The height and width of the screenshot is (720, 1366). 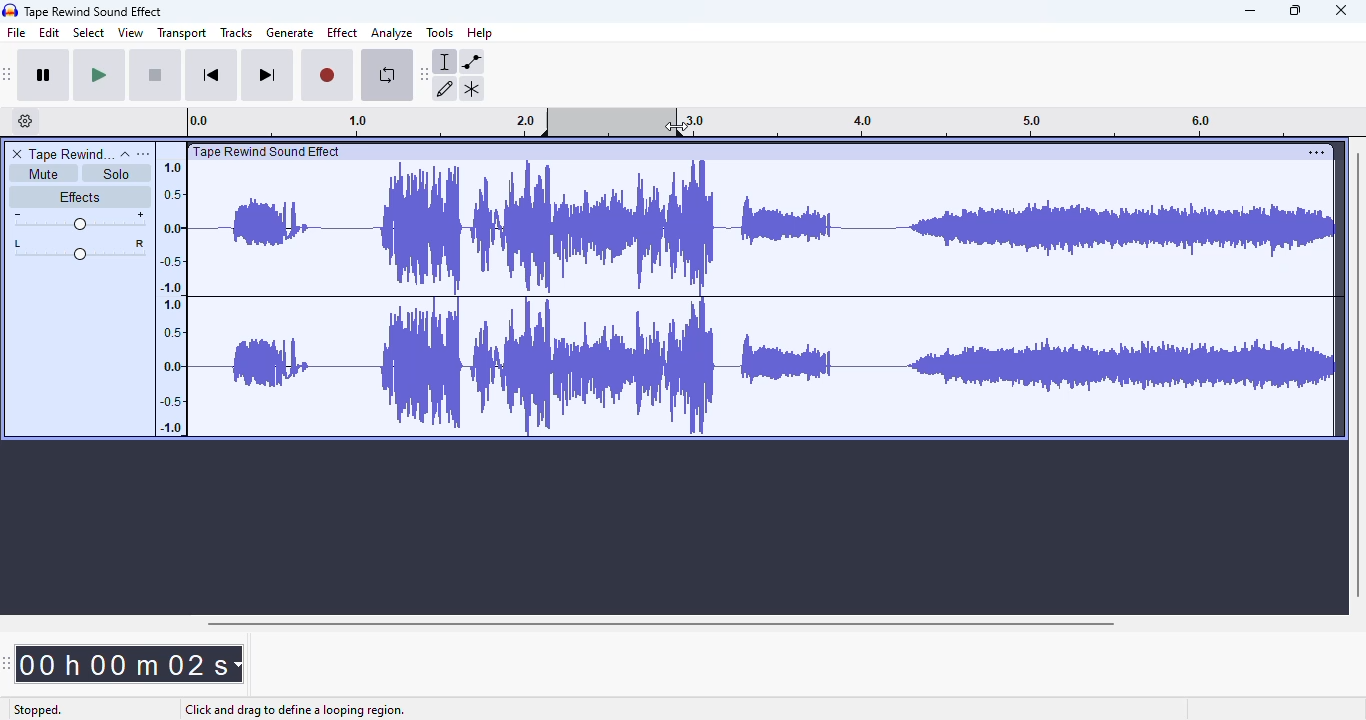 I want to click on play, so click(x=101, y=74).